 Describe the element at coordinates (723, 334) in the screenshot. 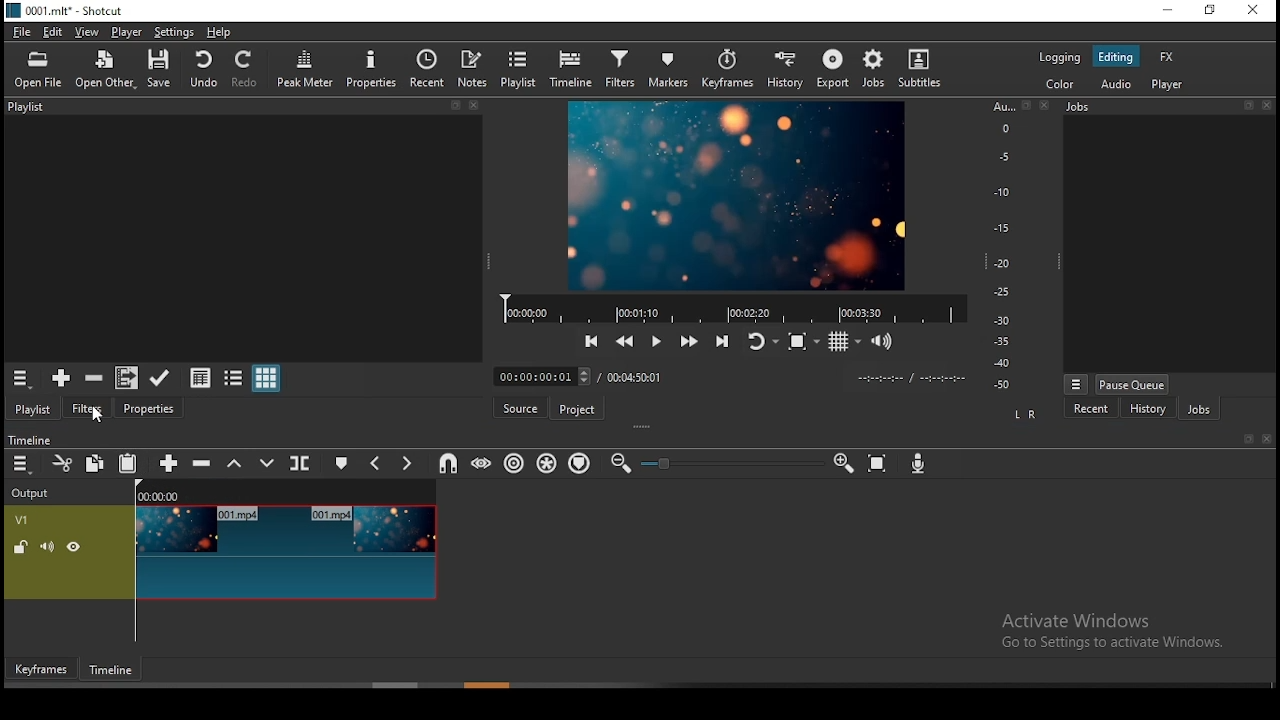

I see `skip to next point` at that location.